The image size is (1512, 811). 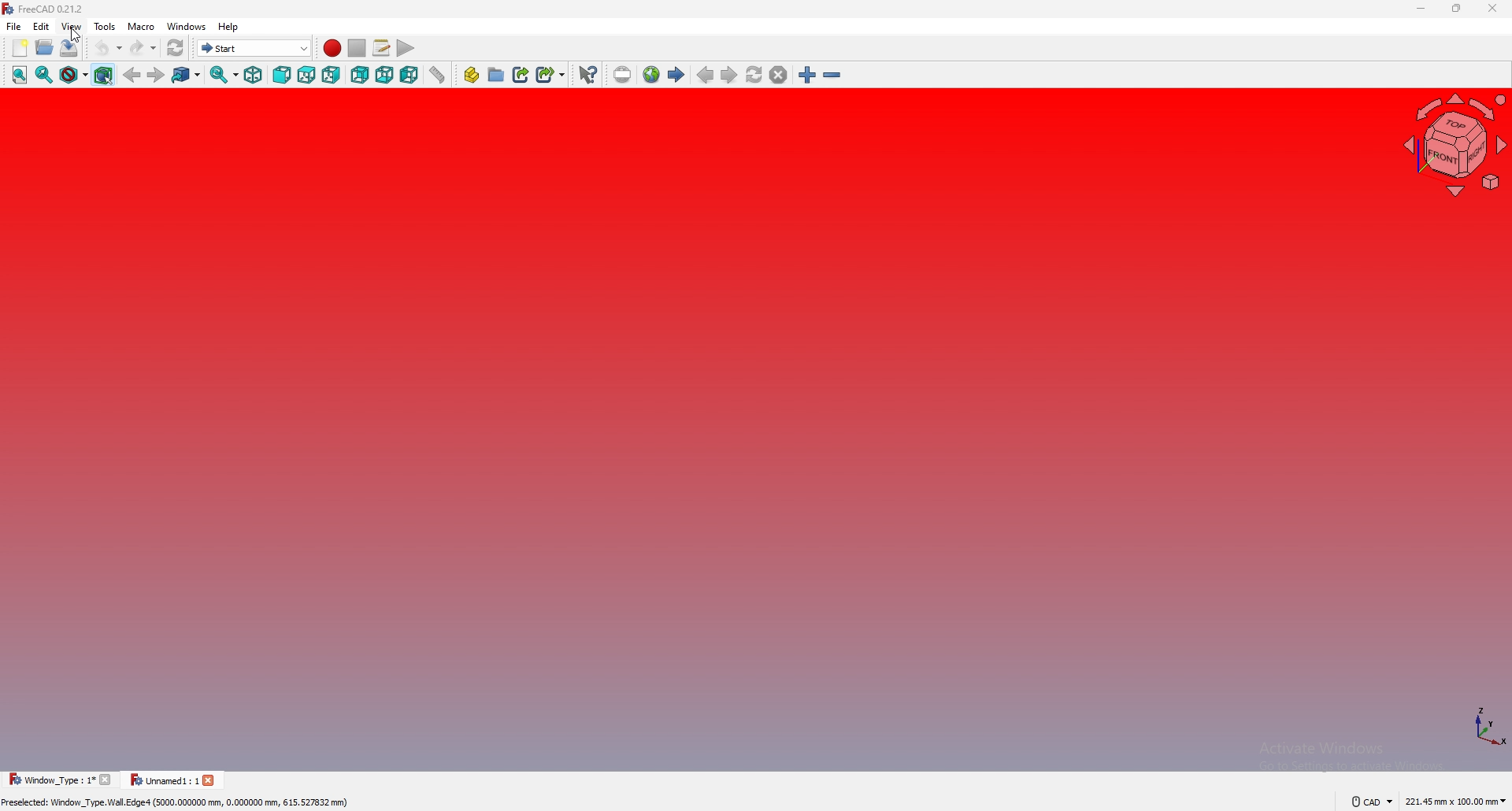 What do you see at coordinates (728, 75) in the screenshot?
I see `next page` at bounding box center [728, 75].